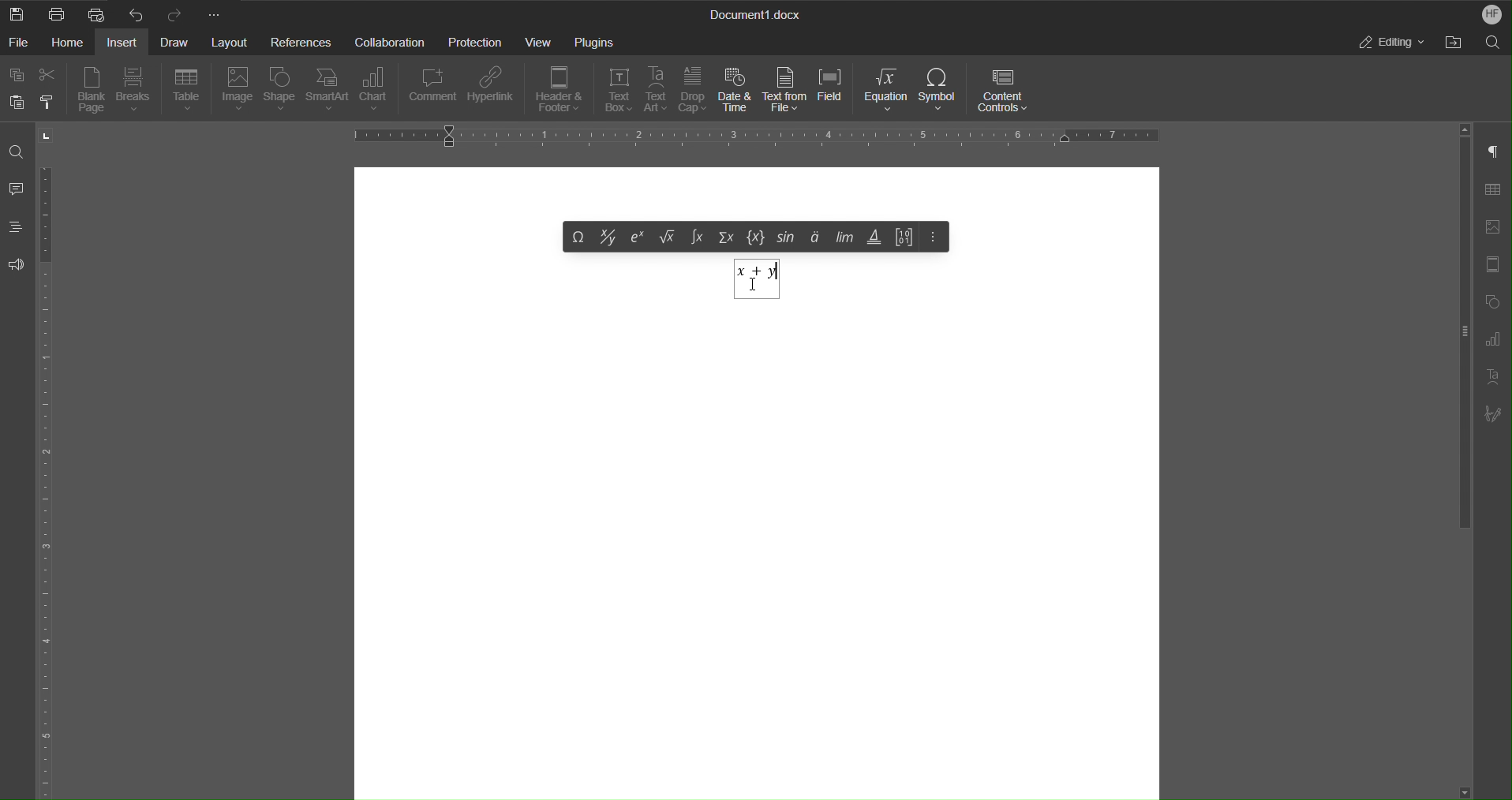  What do you see at coordinates (216, 13) in the screenshot?
I see `More` at bounding box center [216, 13].